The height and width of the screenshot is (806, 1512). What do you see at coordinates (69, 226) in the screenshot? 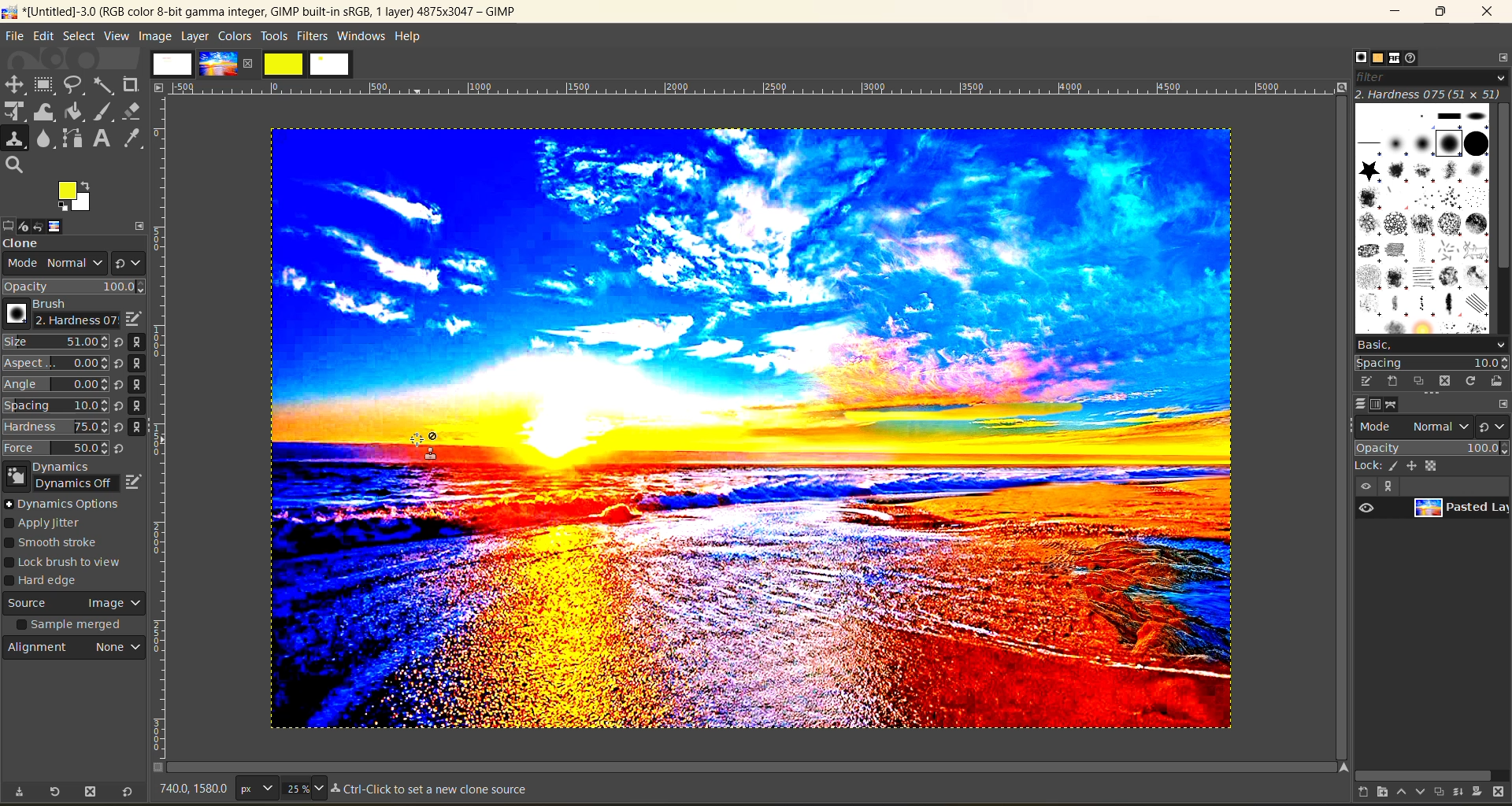
I see `image` at bounding box center [69, 226].